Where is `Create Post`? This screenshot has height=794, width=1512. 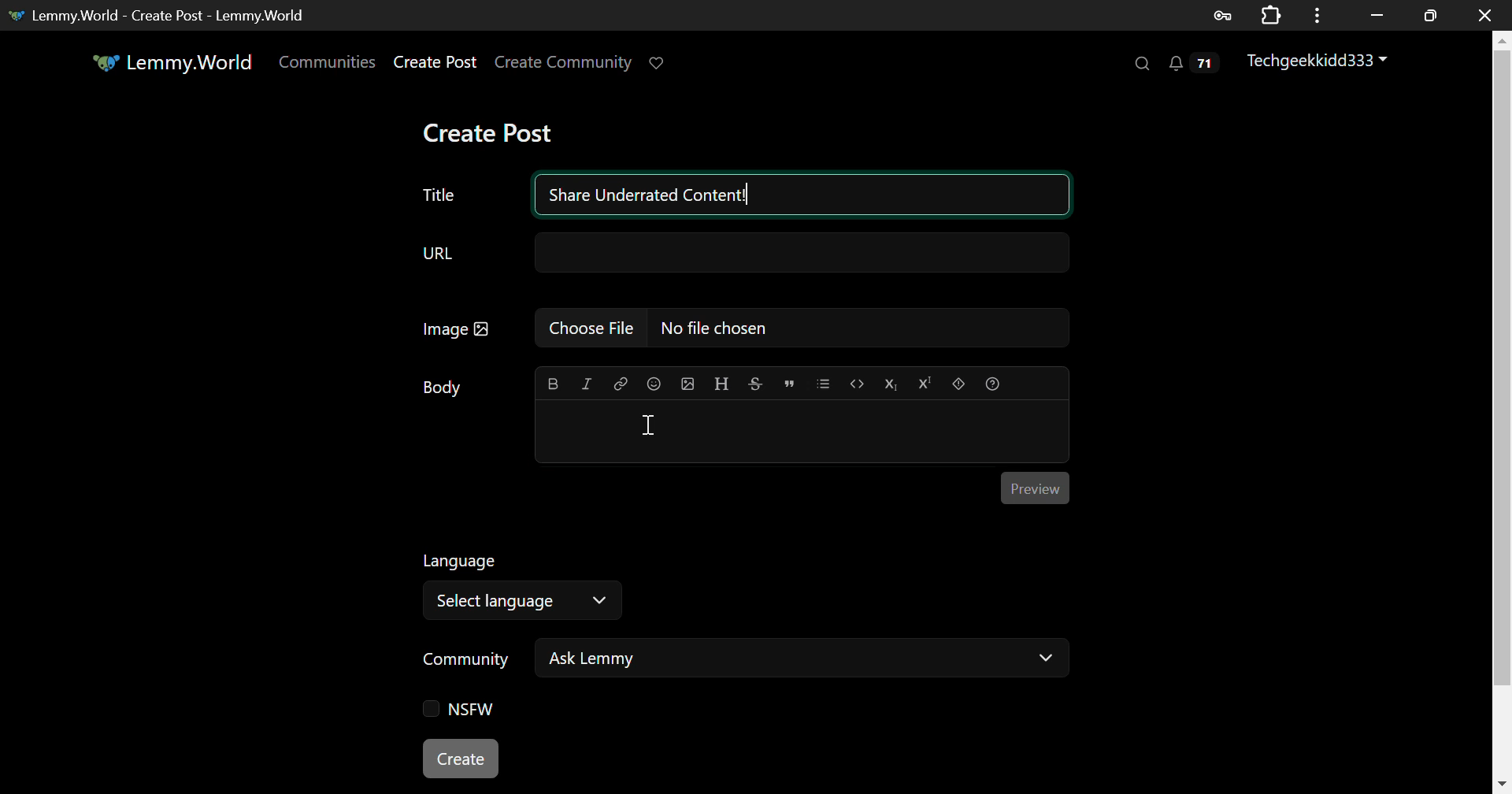 Create Post is located at coordinates (435, 64).